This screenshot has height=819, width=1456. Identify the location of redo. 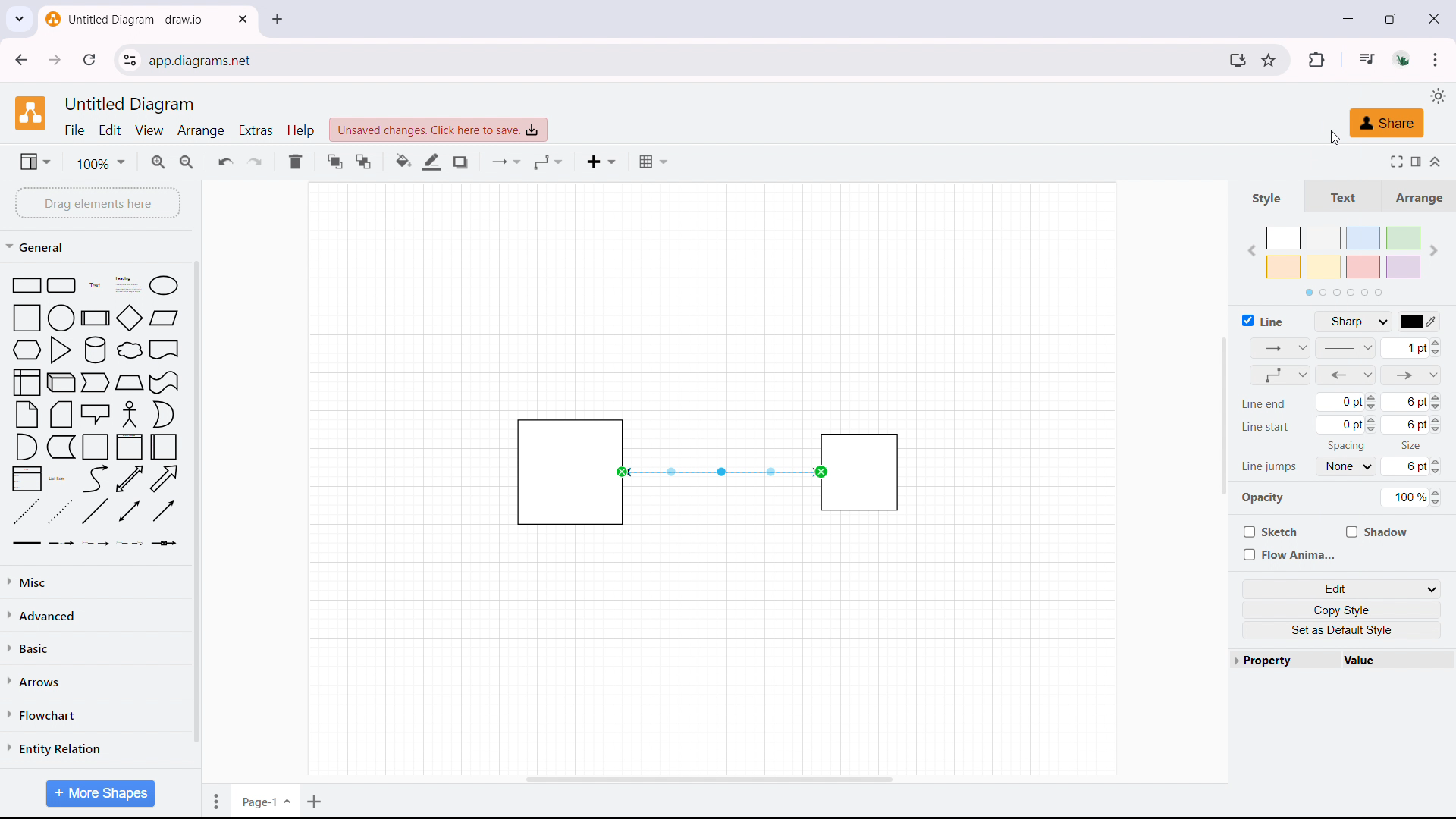
(255, 161).